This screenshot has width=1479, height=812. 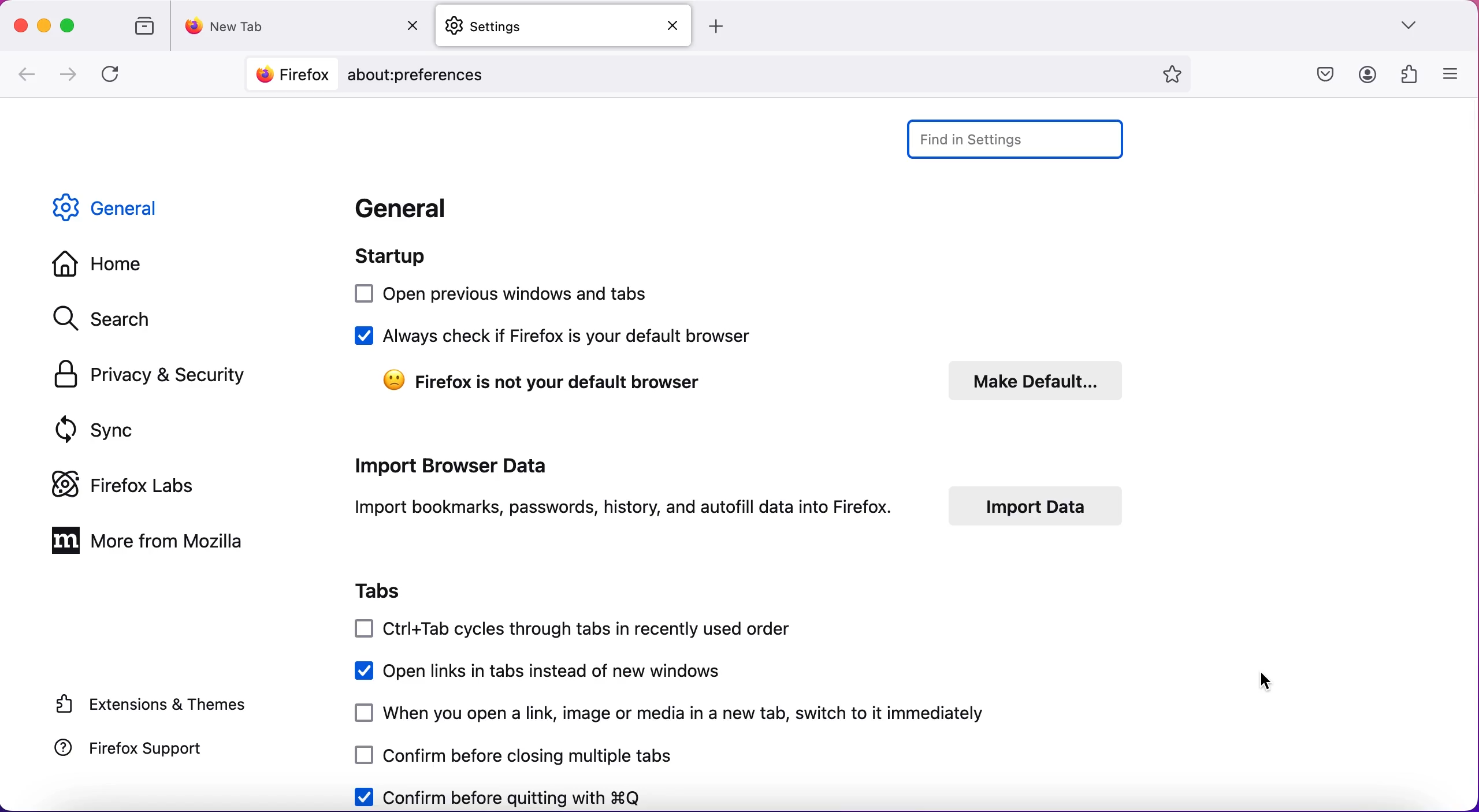 I want to click on open previous windows and tabs, so click(x=506, y=296).